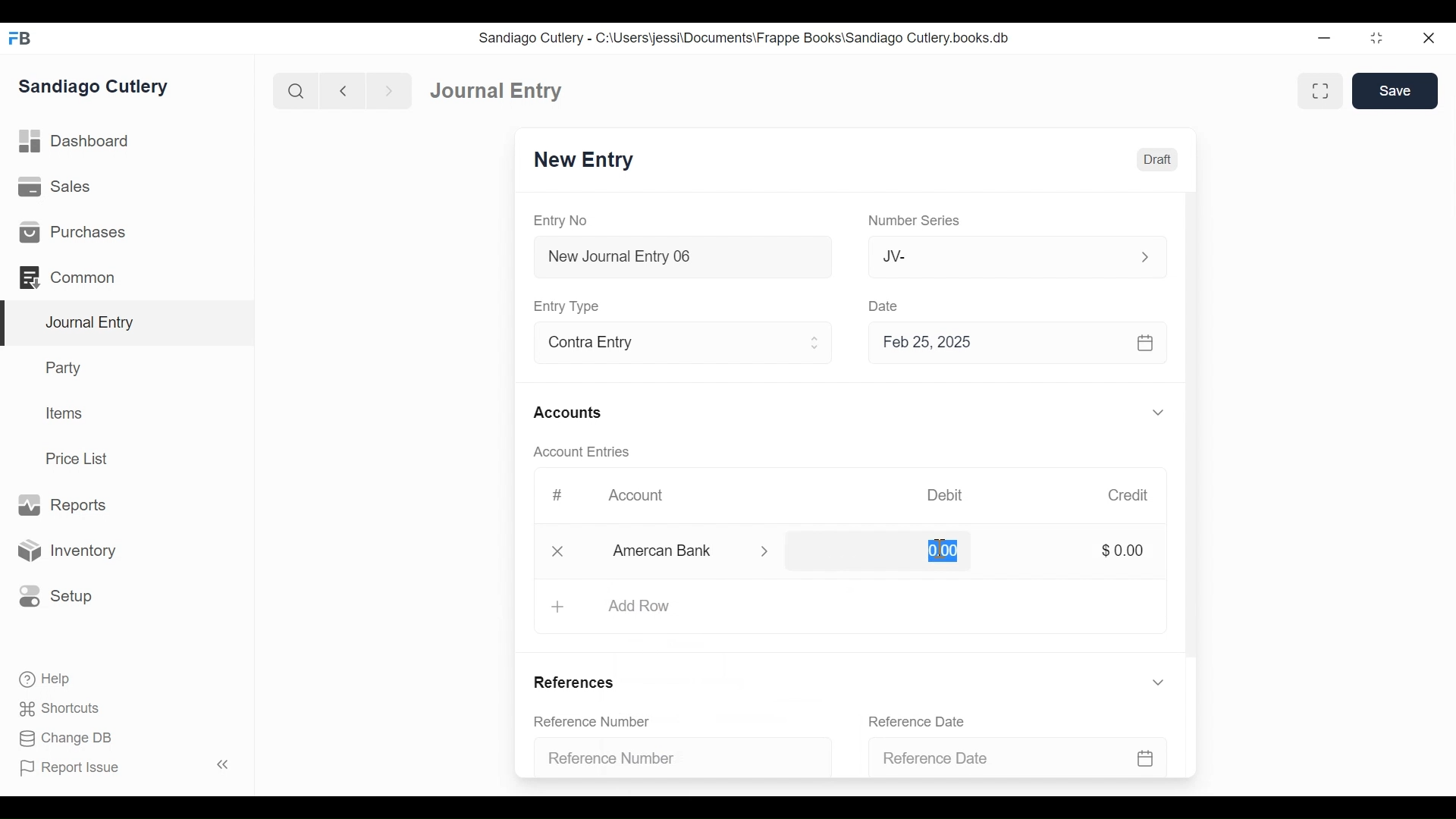 The height and width of the screenshot is (819, 1456). Describe the element at coordinates (497, 89) in the screenshot. I see `Journal Entry` at that location.